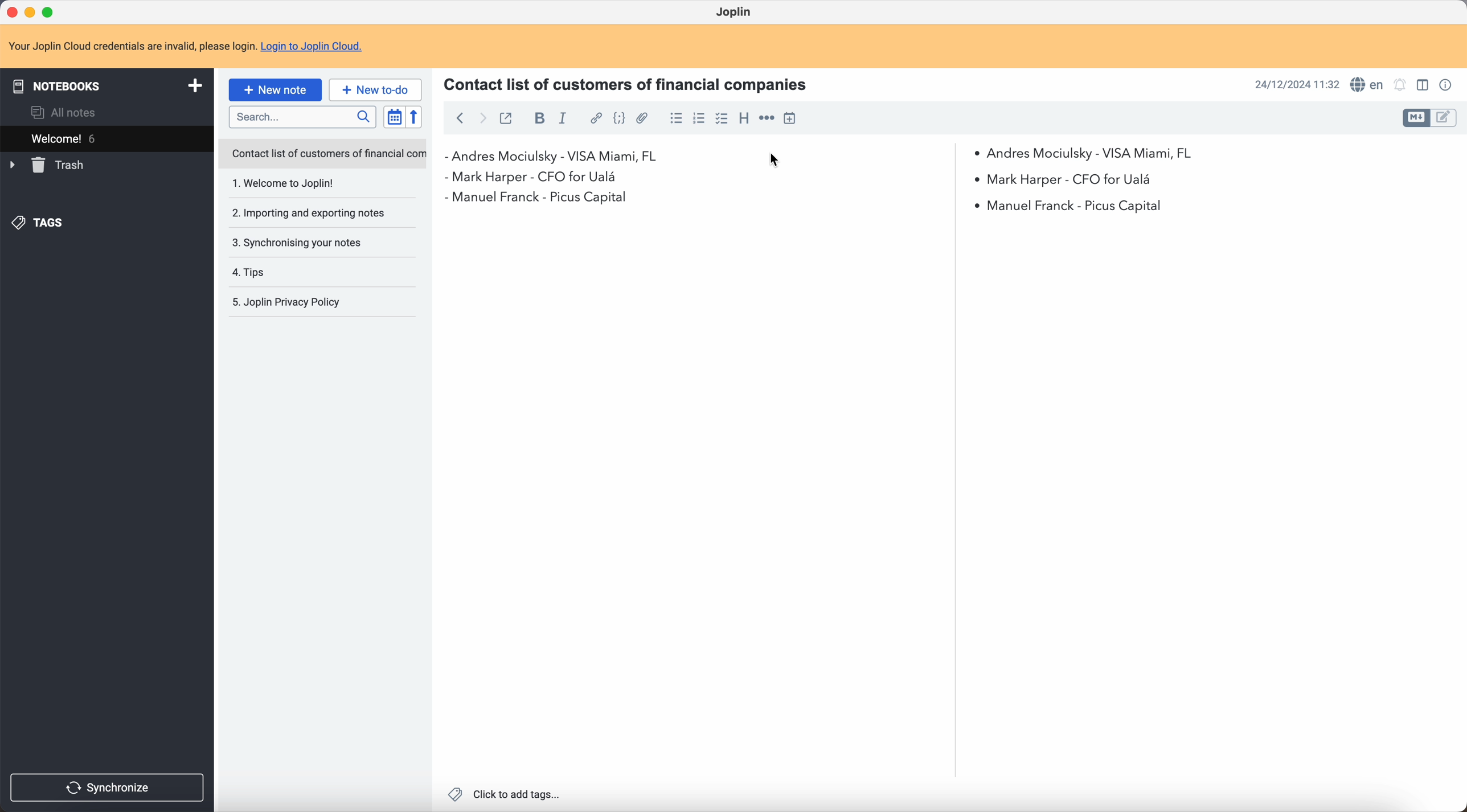 This screenshot has height=812, width=1467. What do you see at coordinates (294, 303) in the screenshot?
I see `5. Joplin Privacy Policy` at bounding box center [294, 303].